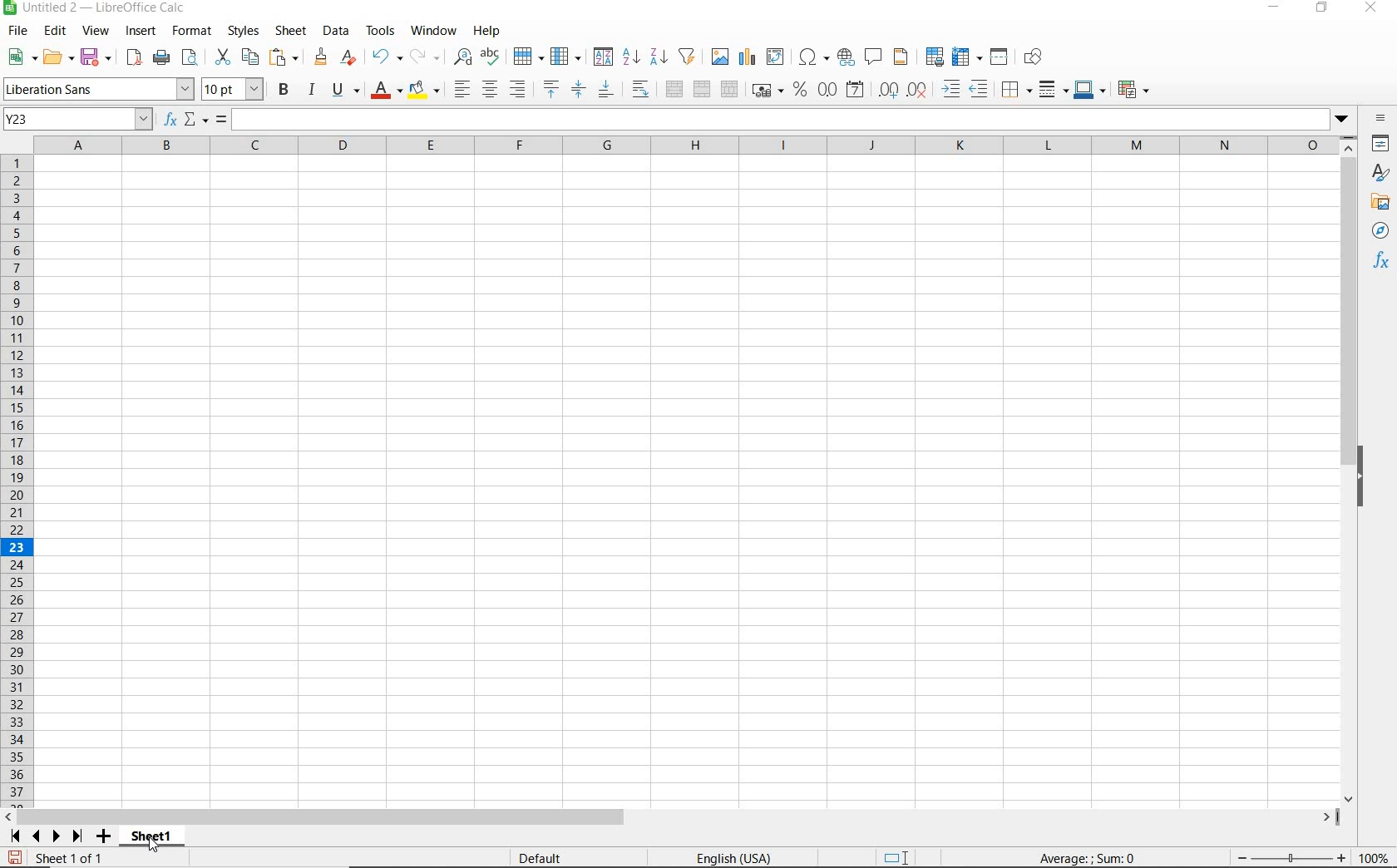 The width and height of the screenshot is (1397, 868). I want to click on DEFINE PRINT AREA, so click(935, 57).